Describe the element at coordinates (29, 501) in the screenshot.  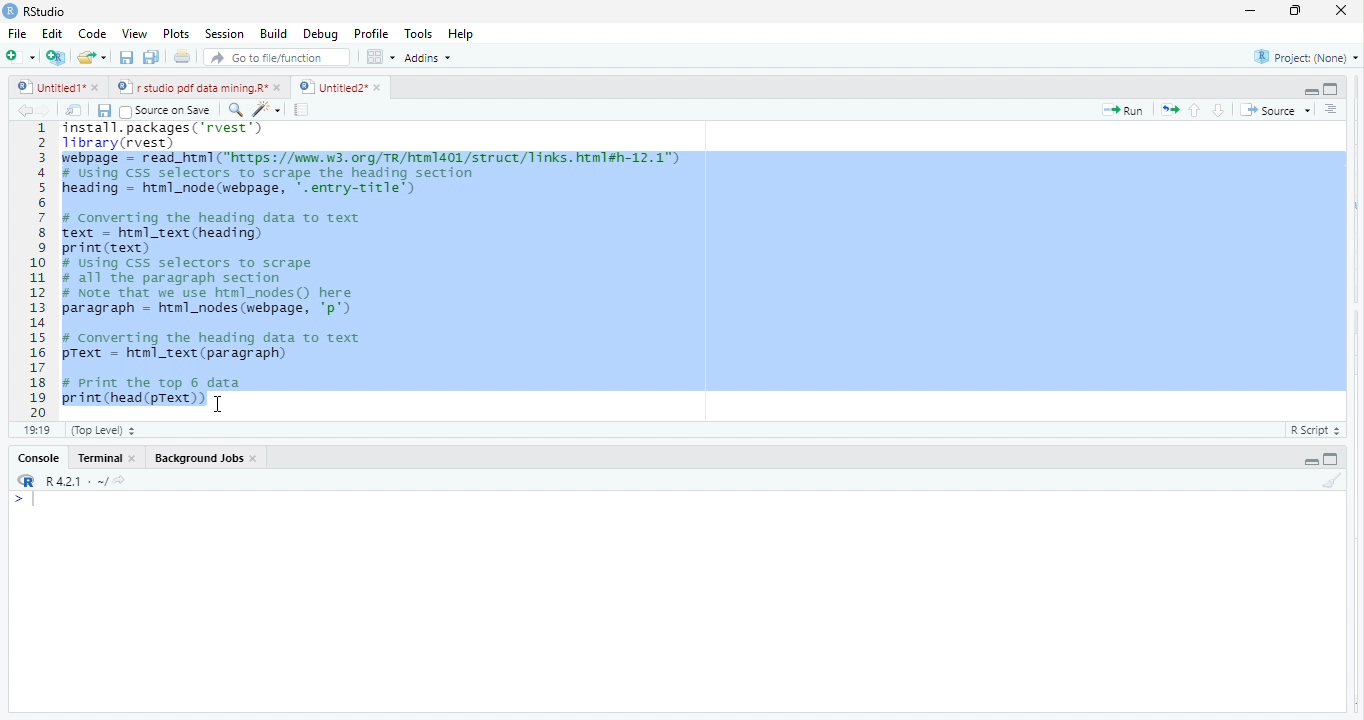
I see `typing cursor` at that location.